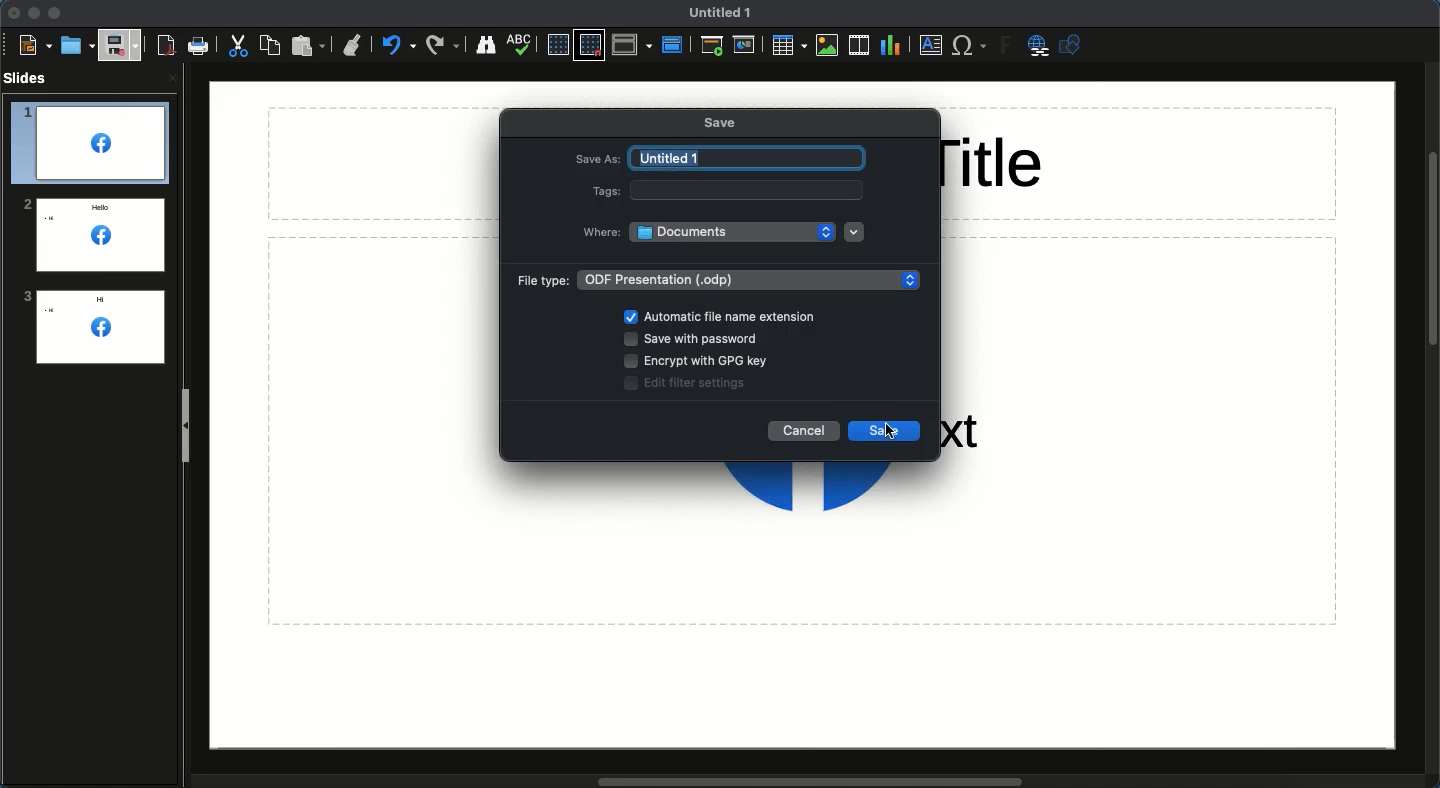 The width and height of the screenshot is (1440, 788). What do you see at coordinates (75, 46) in the screenshot?
I see `Open` at bounding box center [75, 46].